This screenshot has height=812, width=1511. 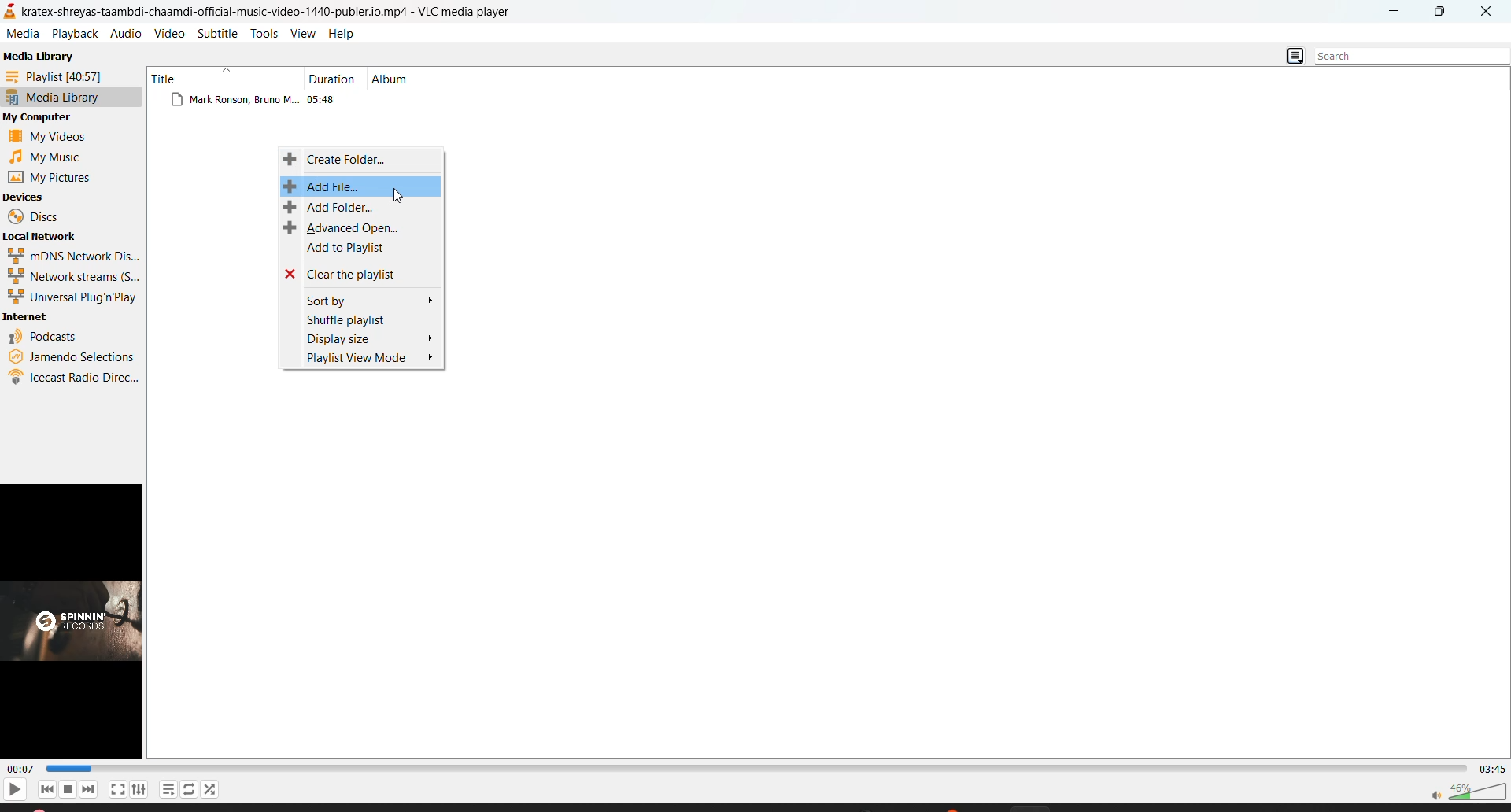 I want to click on icecast, so click(x=72, y=378).